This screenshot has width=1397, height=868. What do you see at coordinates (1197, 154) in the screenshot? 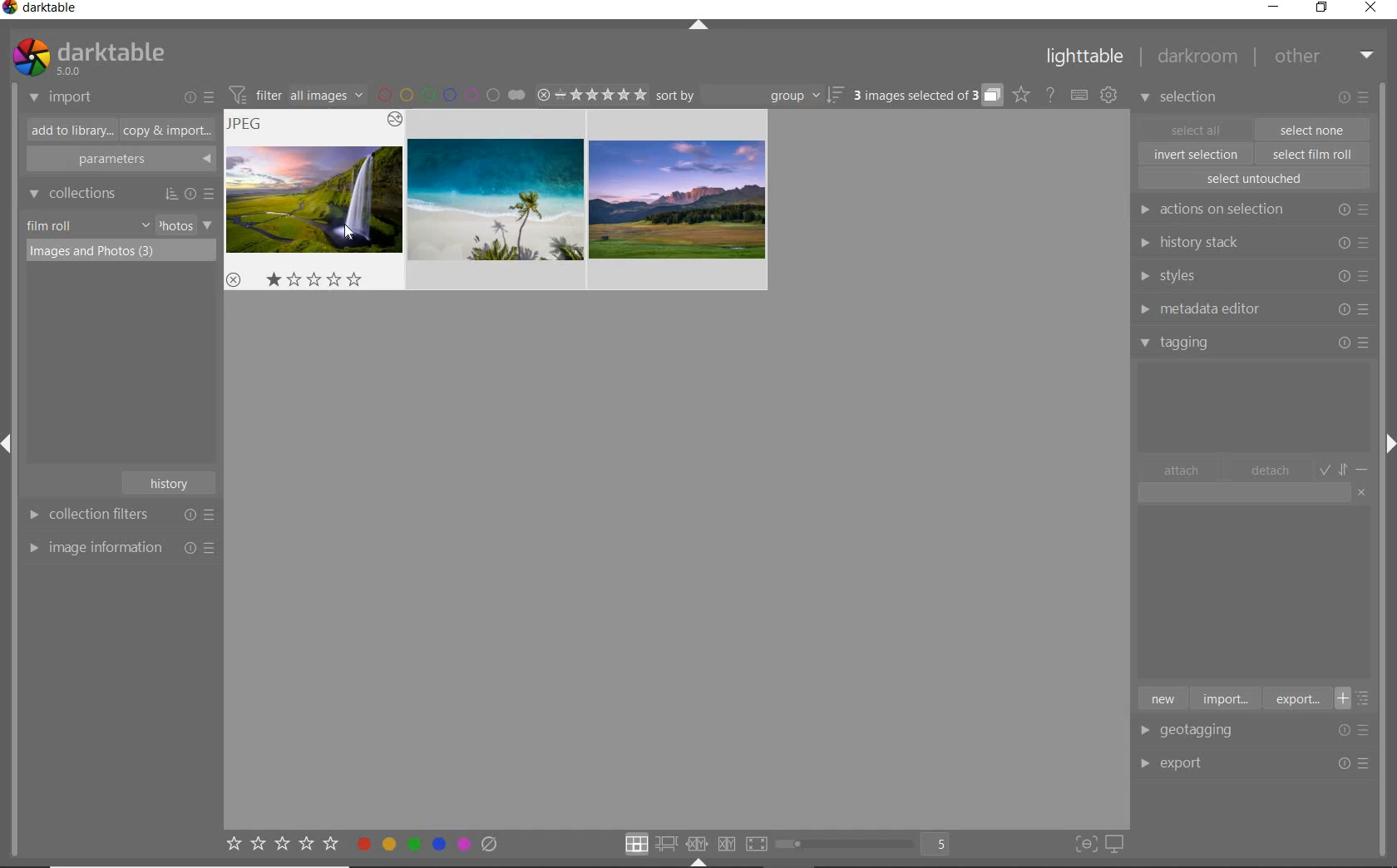
I see `invert selection` at bounding box center [1197, 154].